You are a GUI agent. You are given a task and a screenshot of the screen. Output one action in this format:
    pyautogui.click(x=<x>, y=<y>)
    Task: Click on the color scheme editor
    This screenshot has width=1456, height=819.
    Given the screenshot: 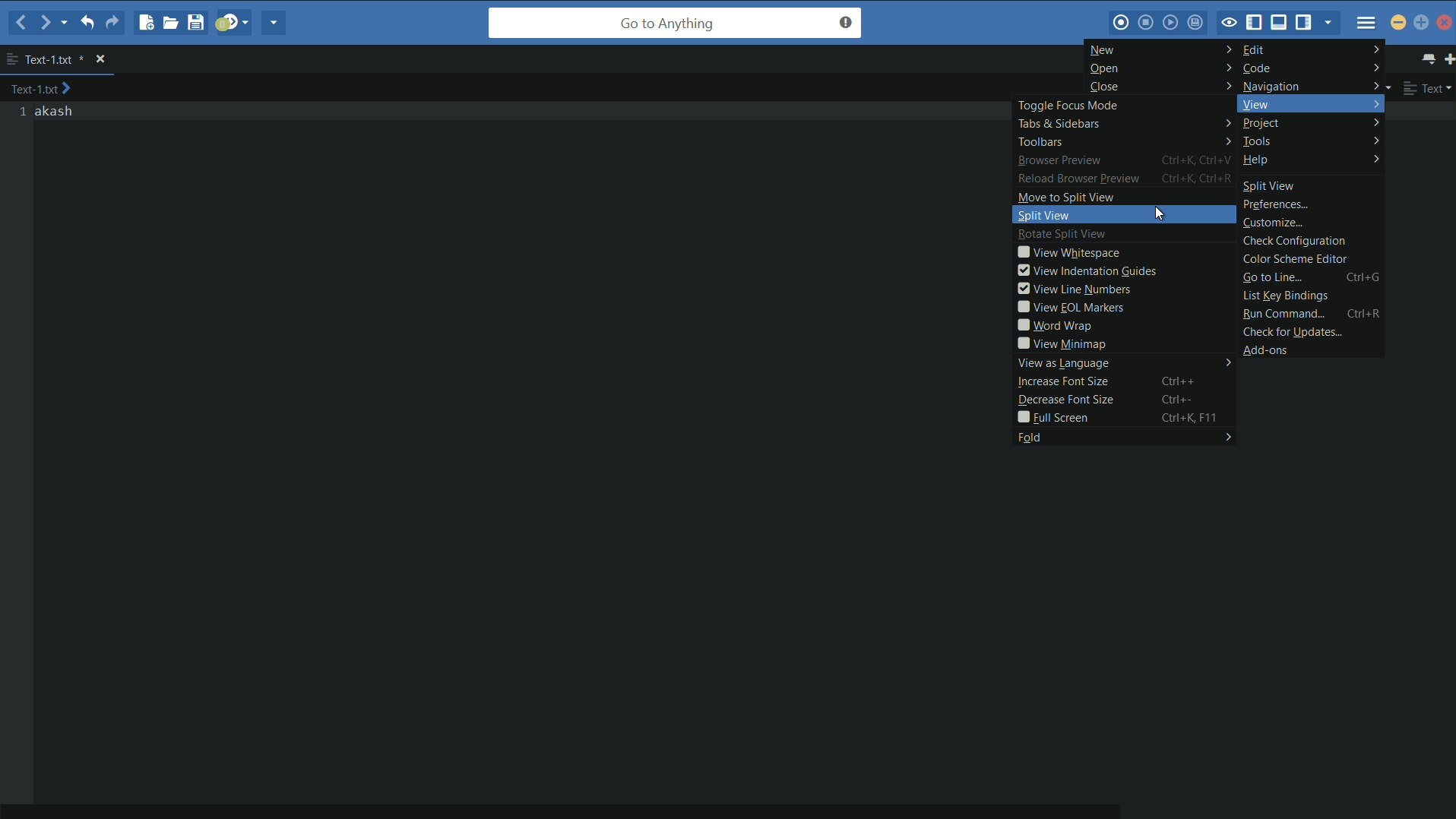 What is the action you would take?
    pyautogui.click(x=1312, y=259)
    